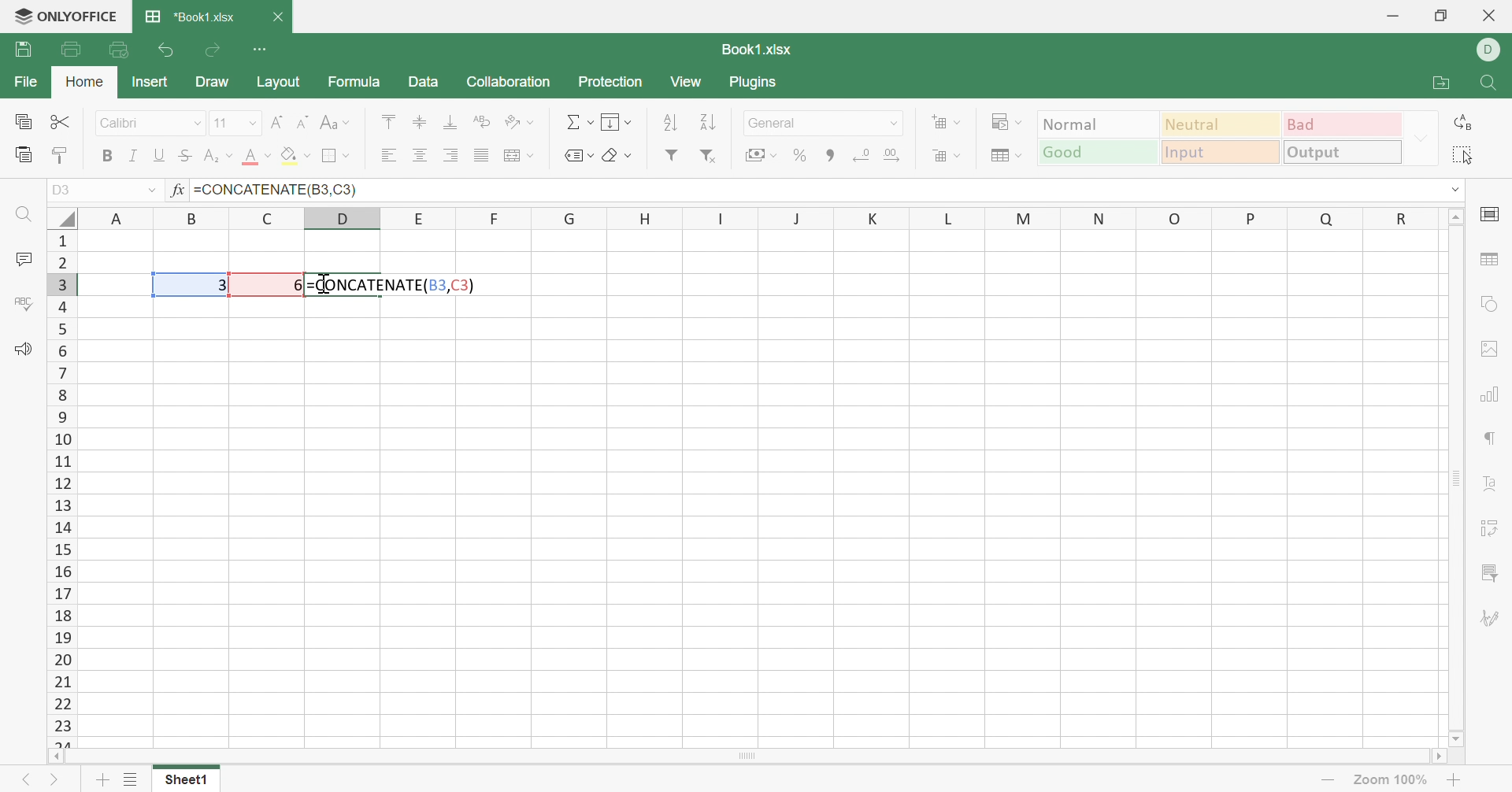 This screenshot has height=792, width=1512. I want to click on Neutral, so click(1222, 126).